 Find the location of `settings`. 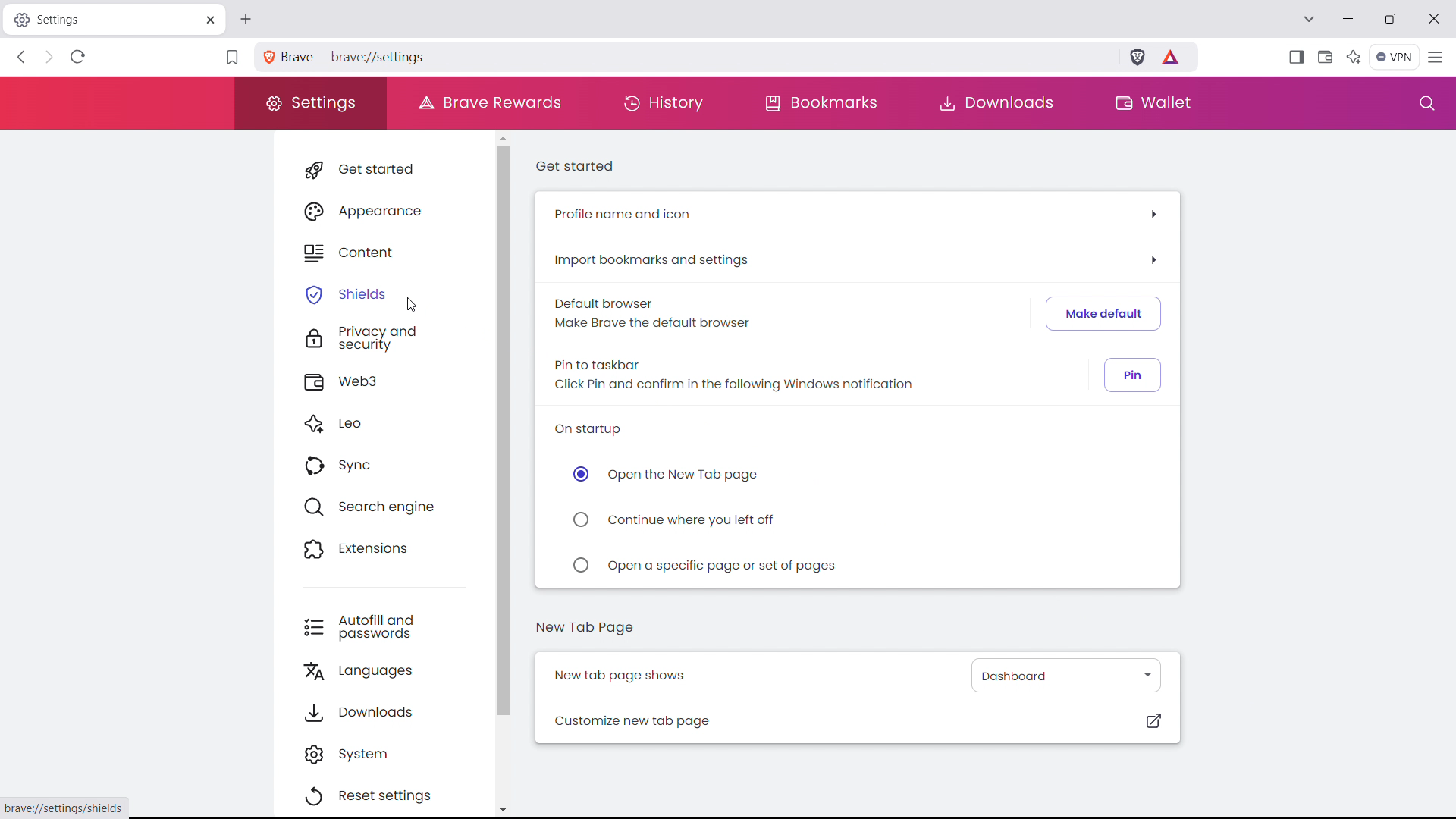

settings is located at coordinates (309, 104).